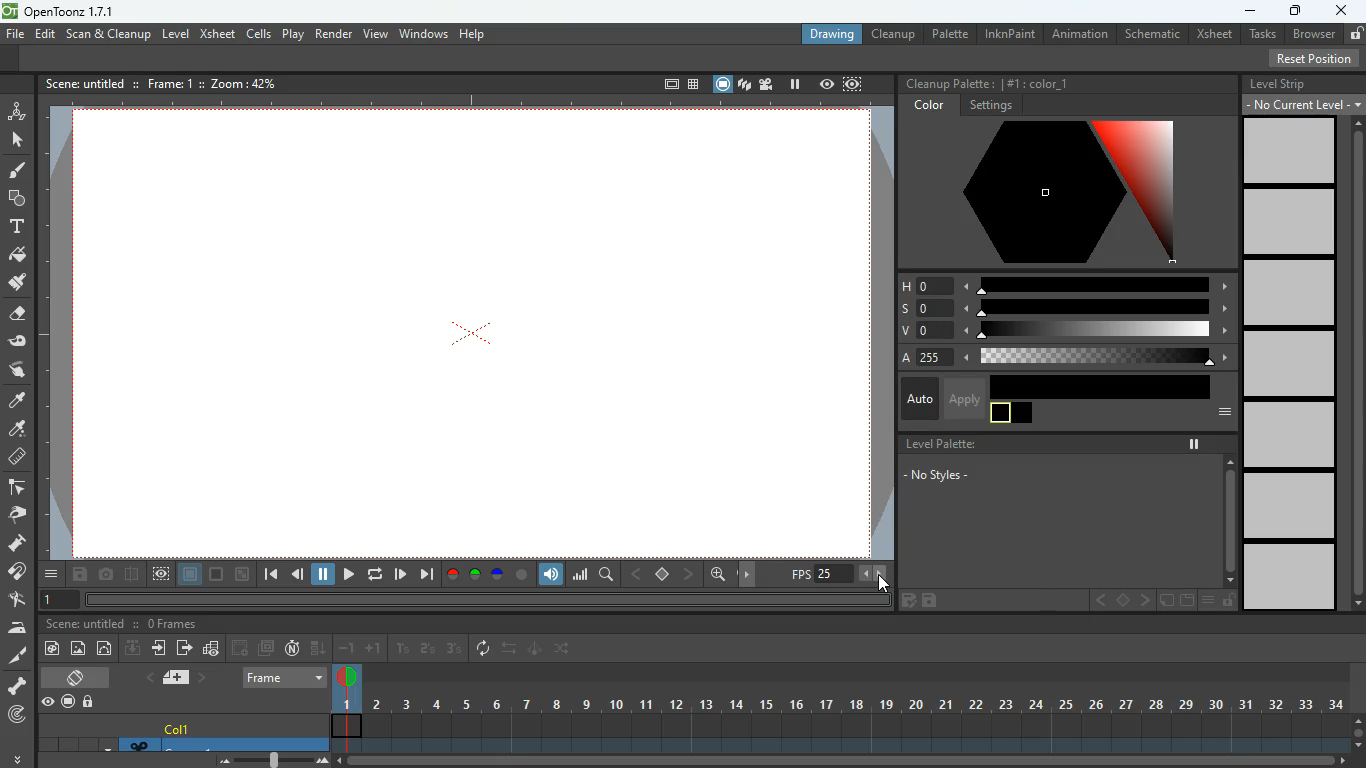 Image resolution: width=1366 pixels, height=768 pixels. What do you see at coordinates (766, 84) in the screenshot?
I see `film` at bounding box center [766, 84].